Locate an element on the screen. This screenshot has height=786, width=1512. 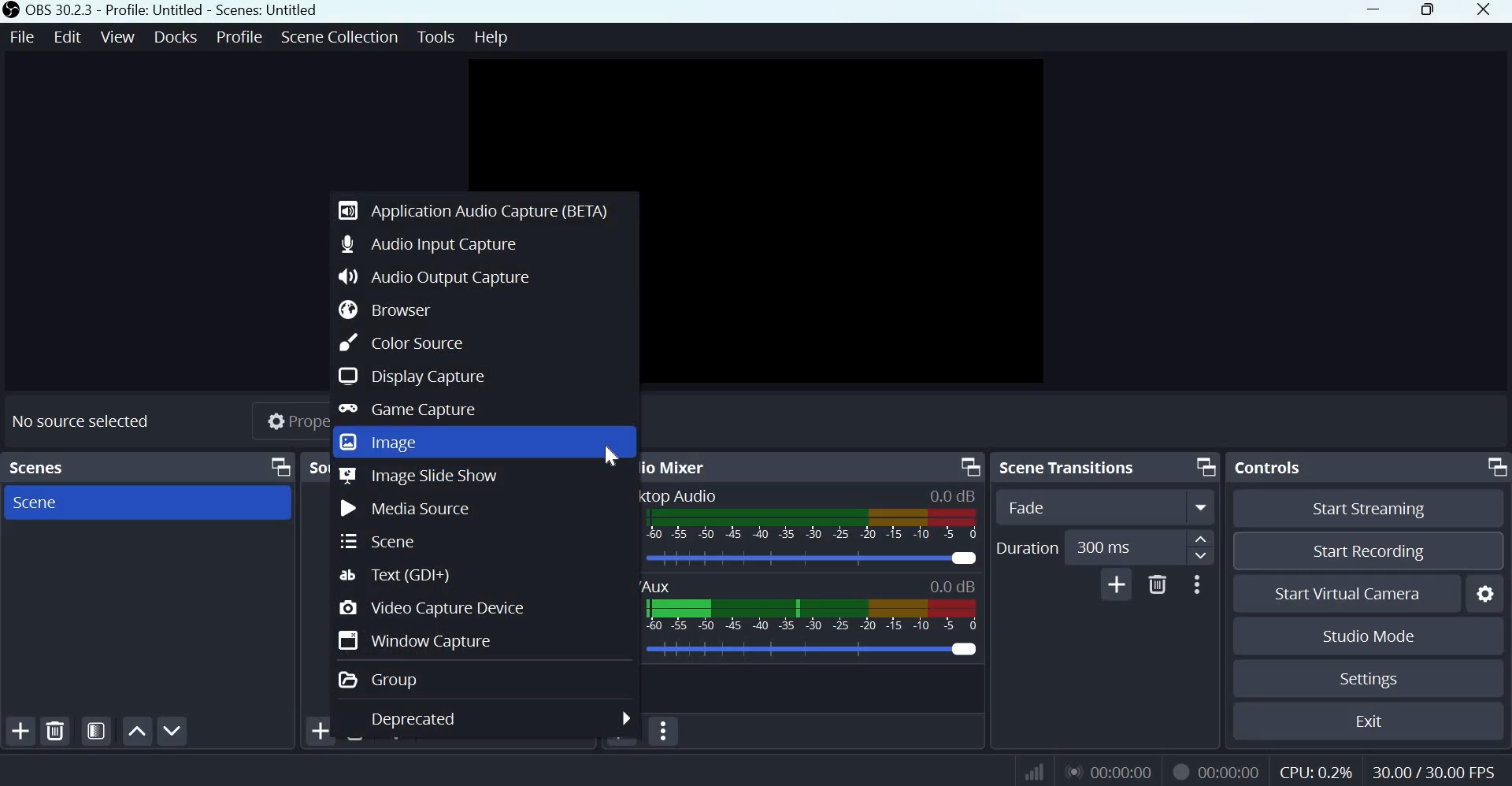
Dock Options icon is located at coordinates (1206, 467).